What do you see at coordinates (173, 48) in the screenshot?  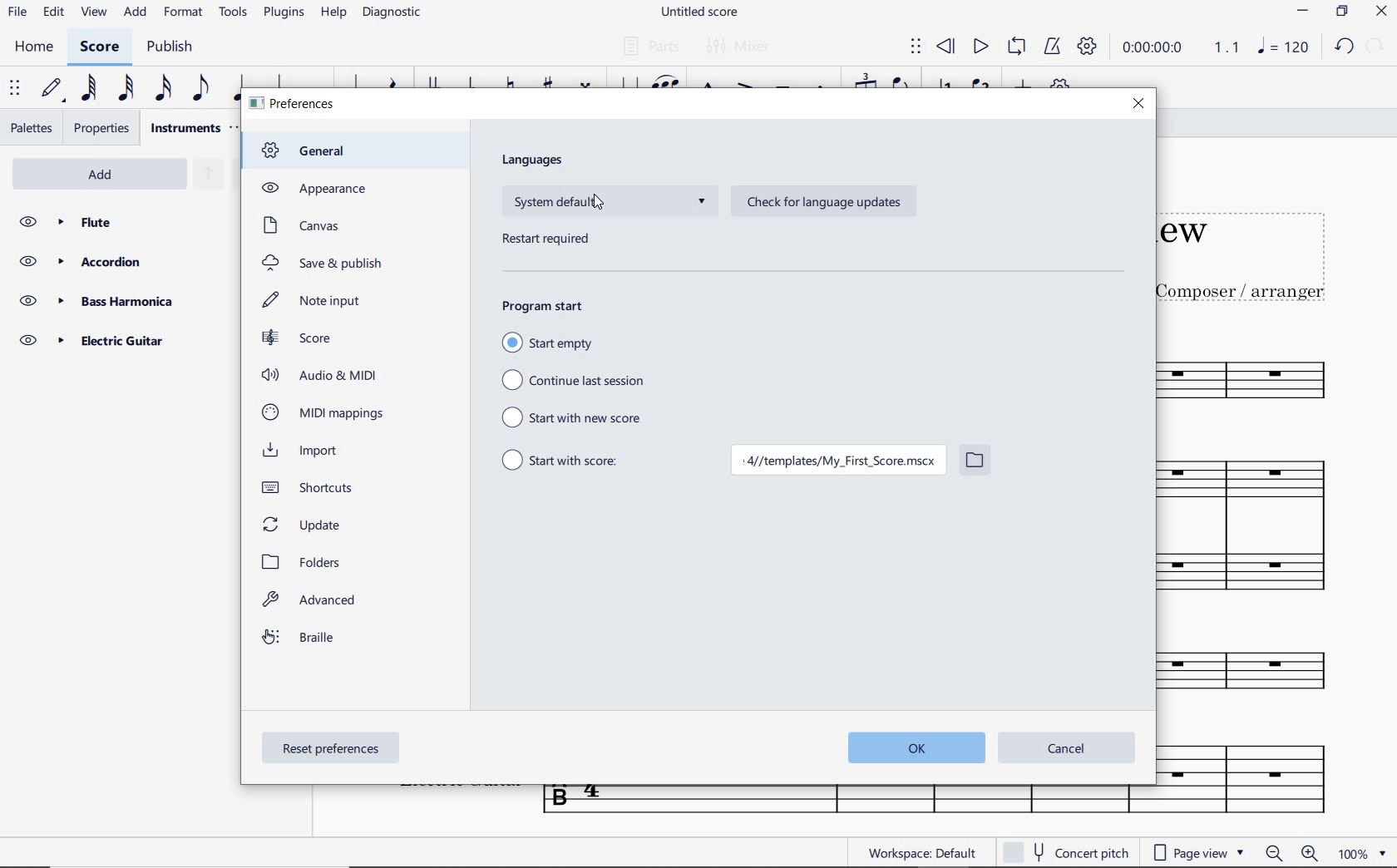 I see `publish` at bounding box center [173, 48].